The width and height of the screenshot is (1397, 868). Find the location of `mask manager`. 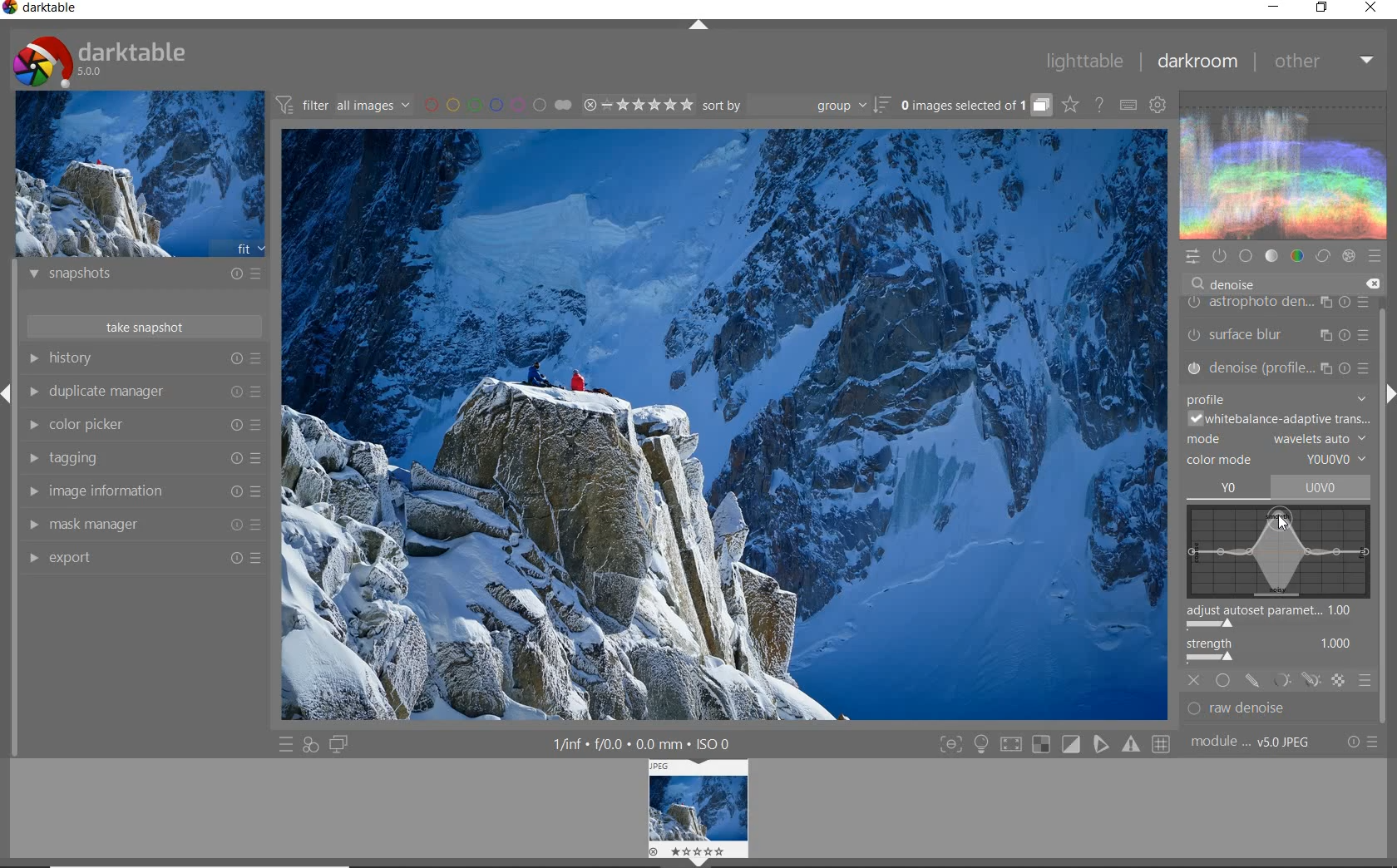

mask manager is located at coordinates (142, 525).